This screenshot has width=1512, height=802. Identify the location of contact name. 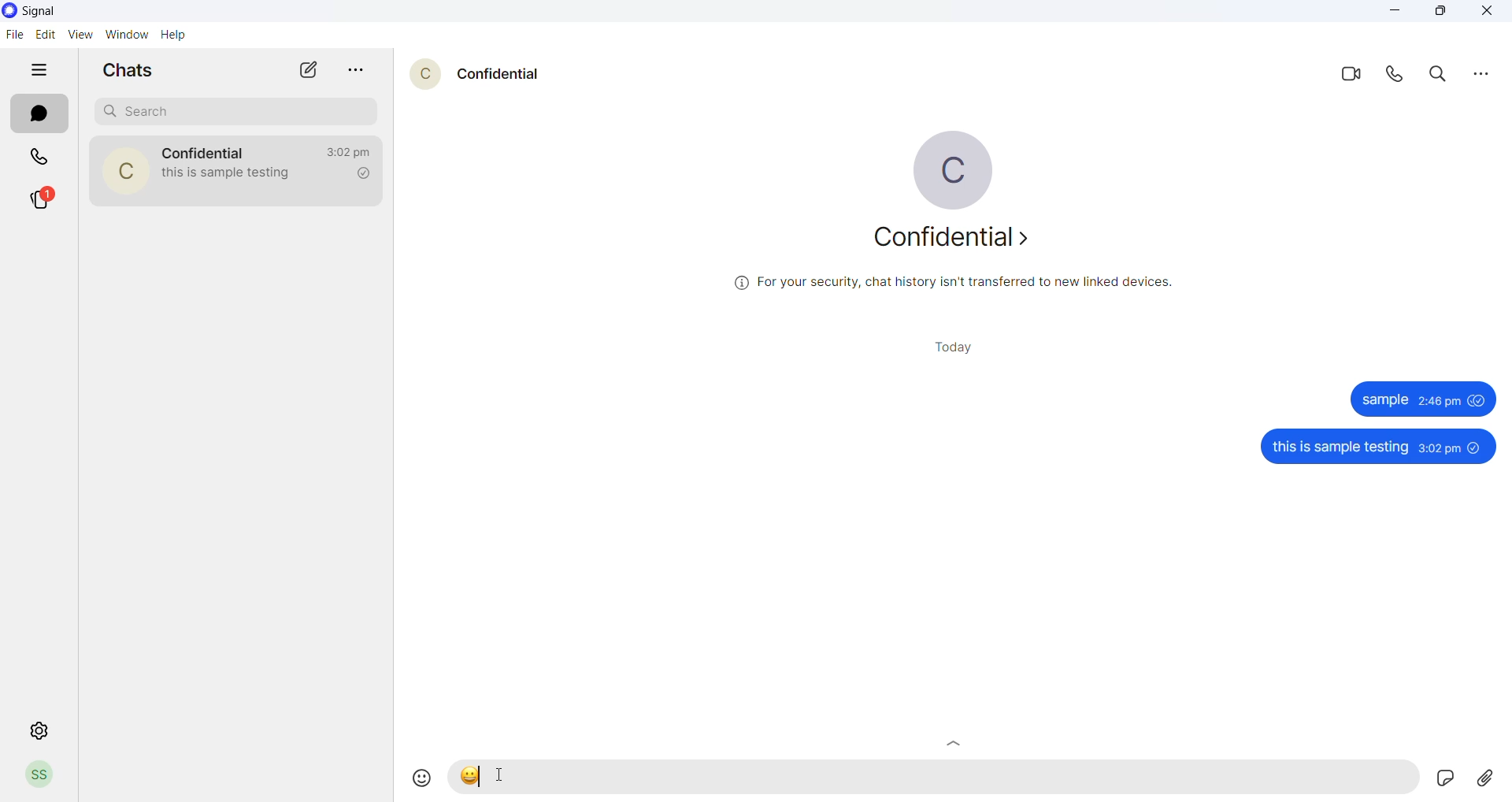
(204, 152).